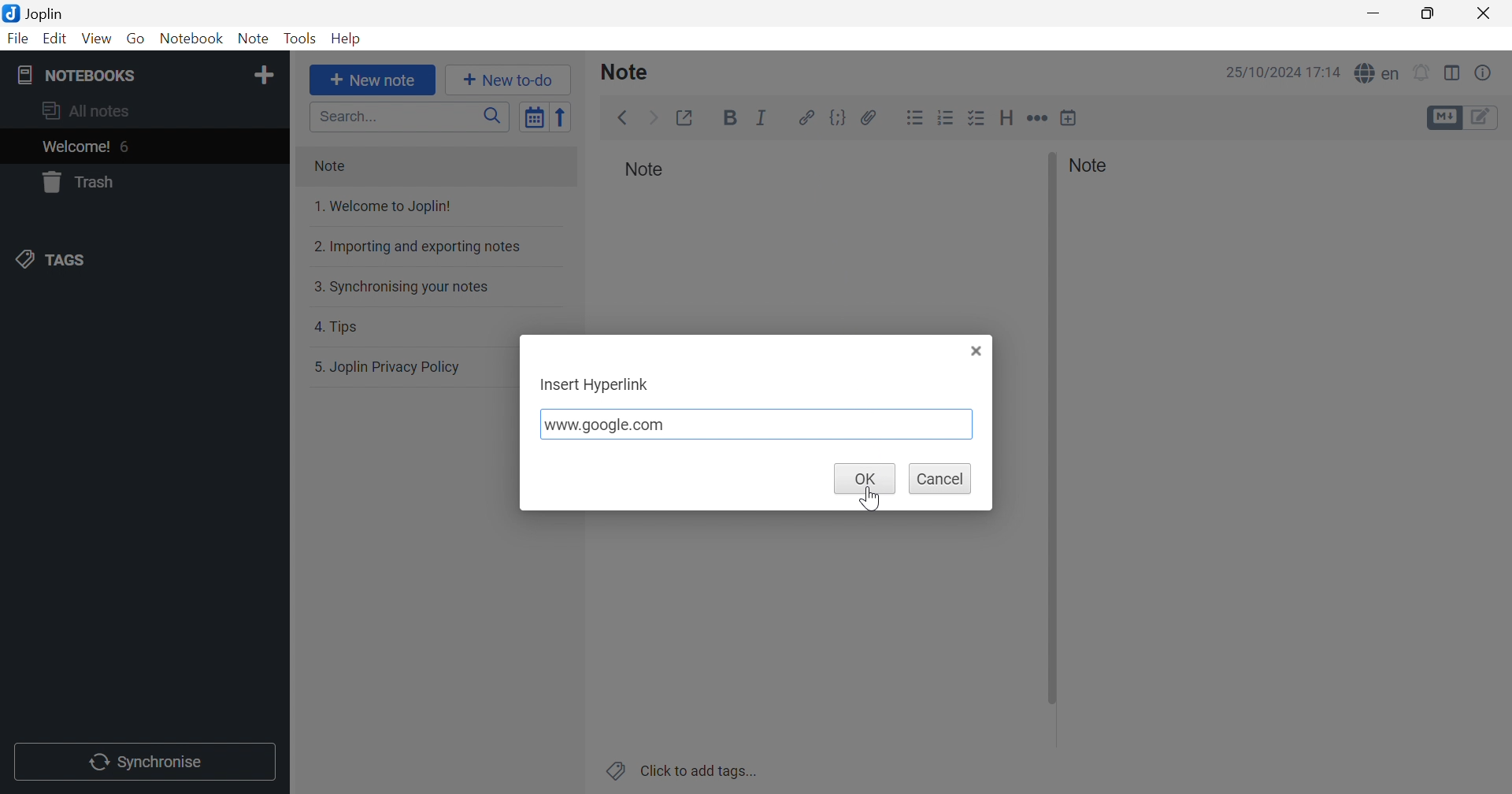 The width and height of the screenshot is (1512, 794). Describe the element at coordinates (255, 39) in the screenshot. I see `Note` at that location.